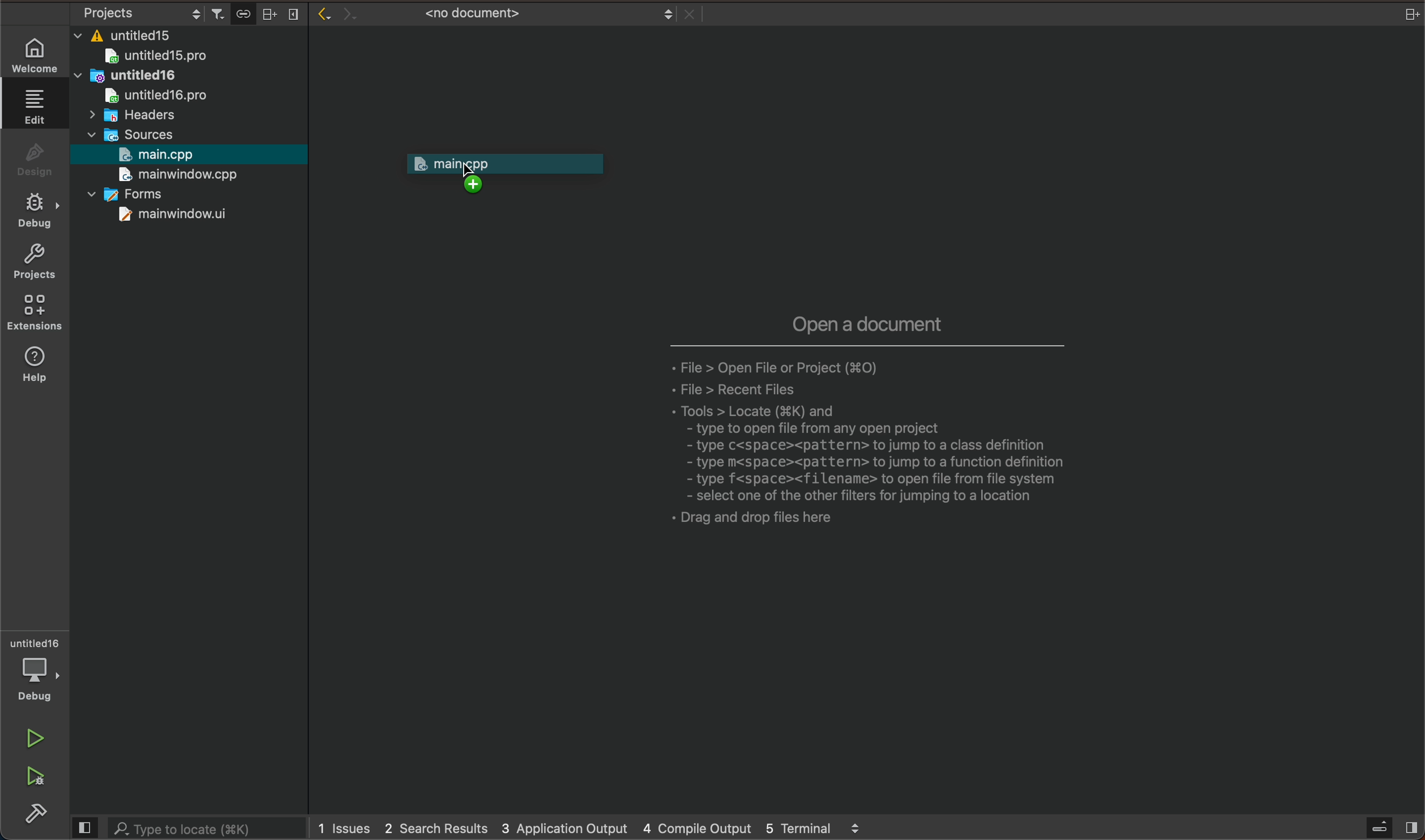 The height and width of the screenshot is (840, 1425). Describe the element at coordinates (33, 670) in the screenshot. I see `debugger` at that location.